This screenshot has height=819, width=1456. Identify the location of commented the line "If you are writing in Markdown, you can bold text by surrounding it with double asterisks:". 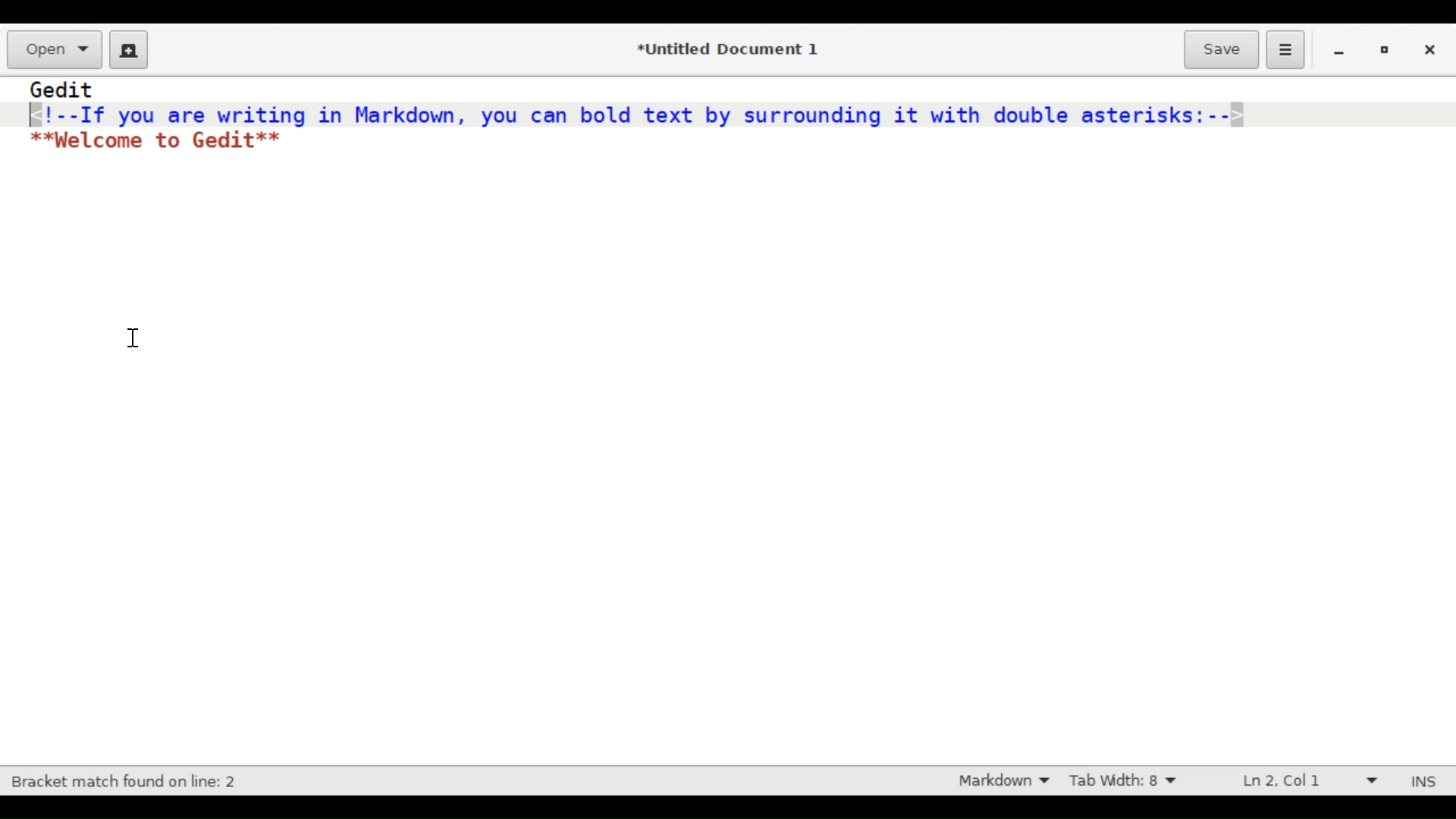
(642, 114).